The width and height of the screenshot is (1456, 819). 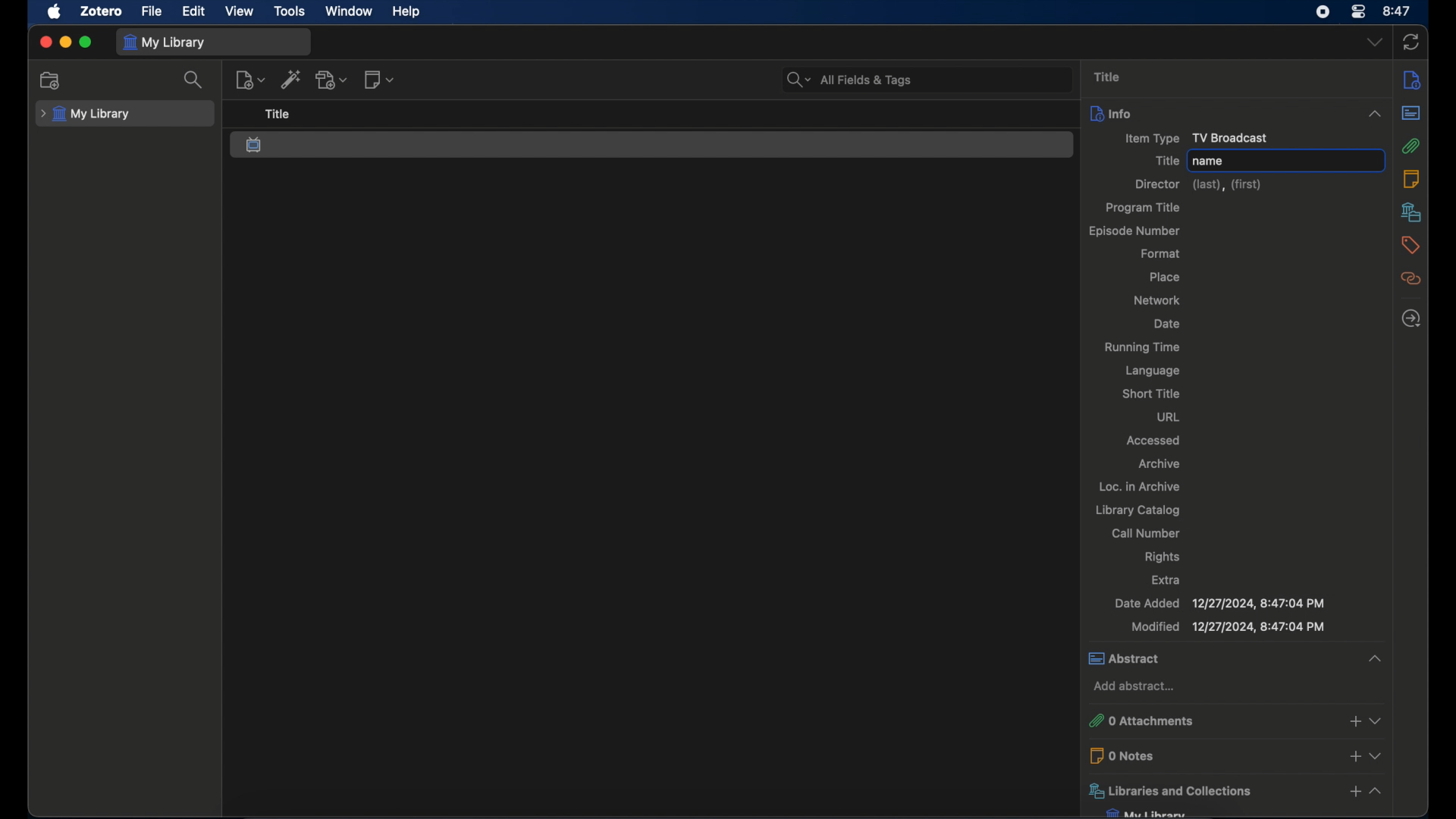 I want to click on info, so click(x=1414, y=79).